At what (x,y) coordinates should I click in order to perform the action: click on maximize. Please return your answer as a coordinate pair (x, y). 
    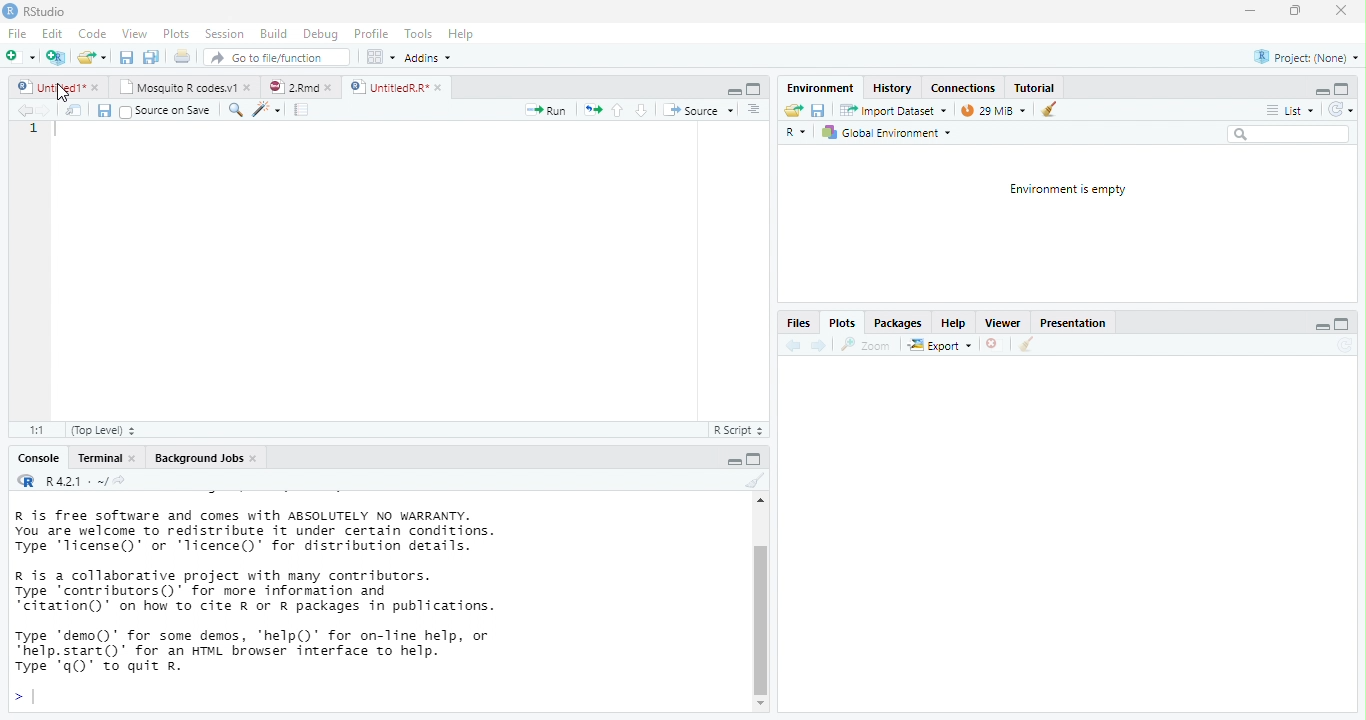
    Looking at the image, I should click on (735, 462).